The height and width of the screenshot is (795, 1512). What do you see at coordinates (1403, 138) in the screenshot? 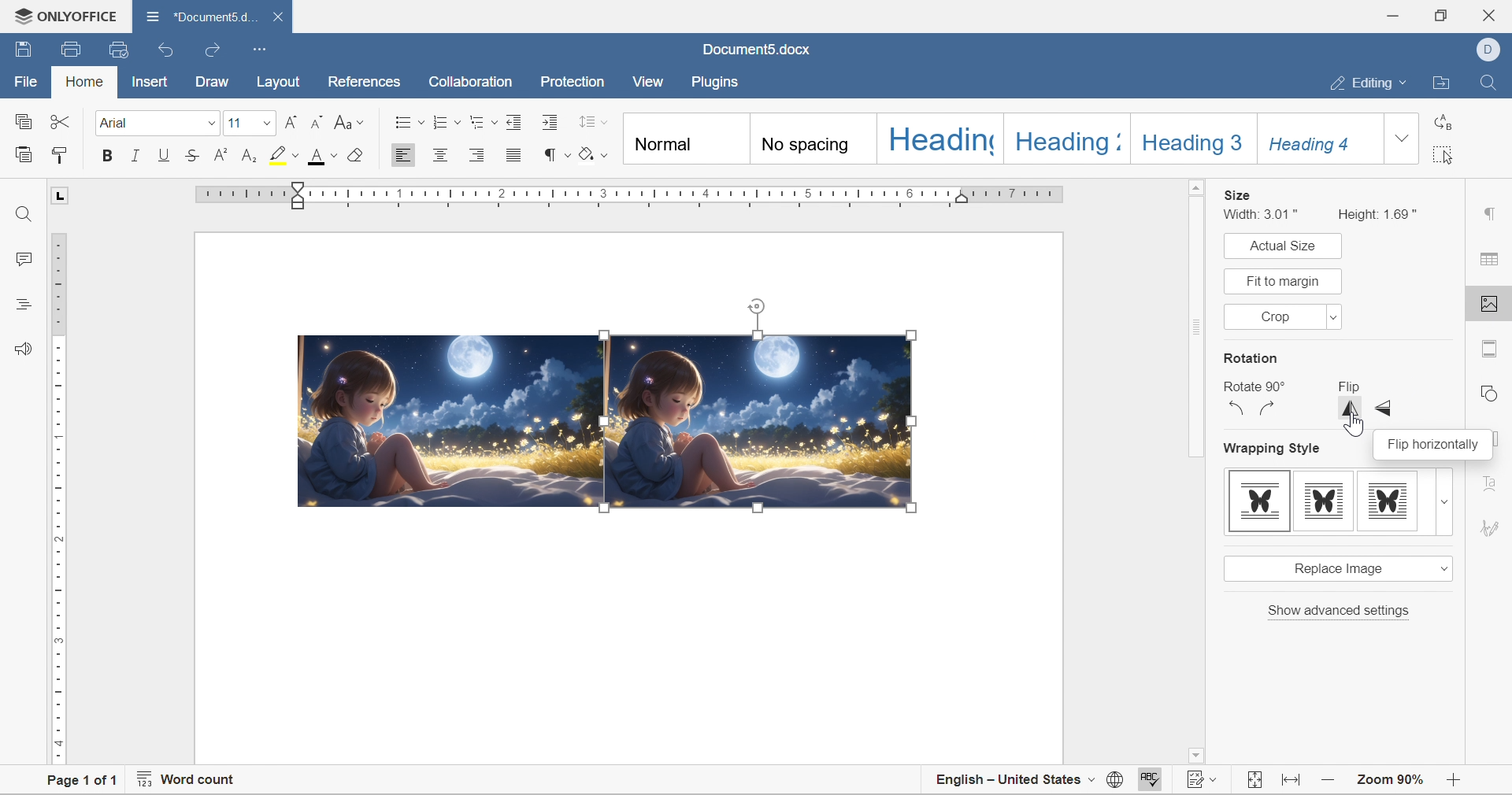
I see `drop down` at bounding box center [1403, 138].